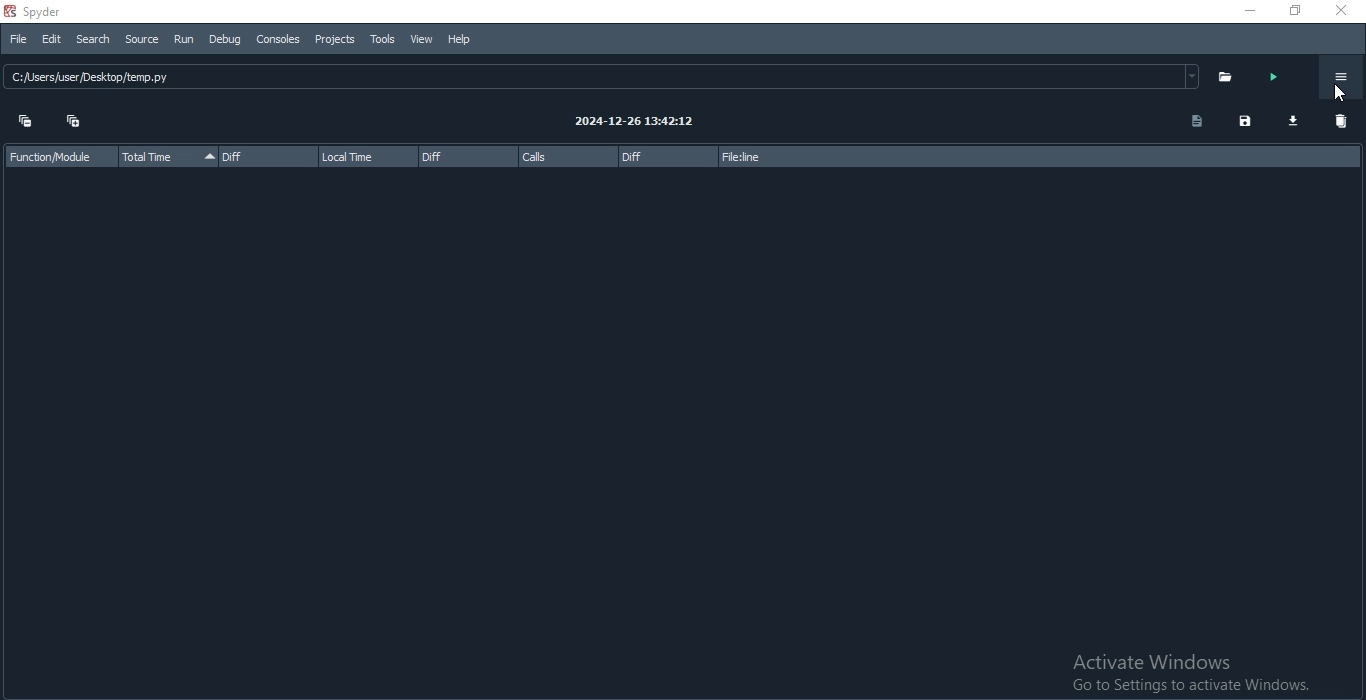  I want to click on Help, so click(462, 39).